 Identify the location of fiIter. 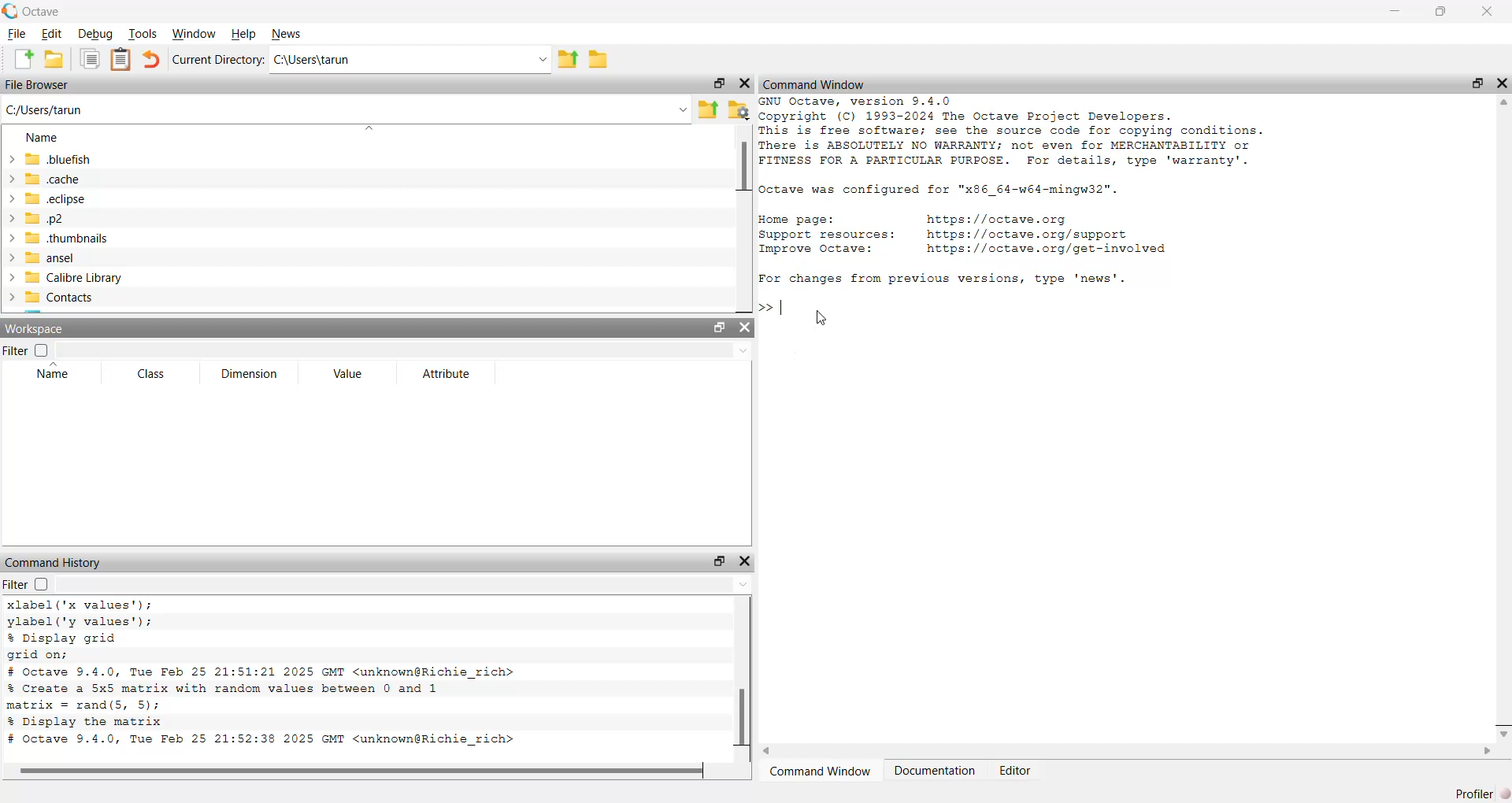
(36, 584).